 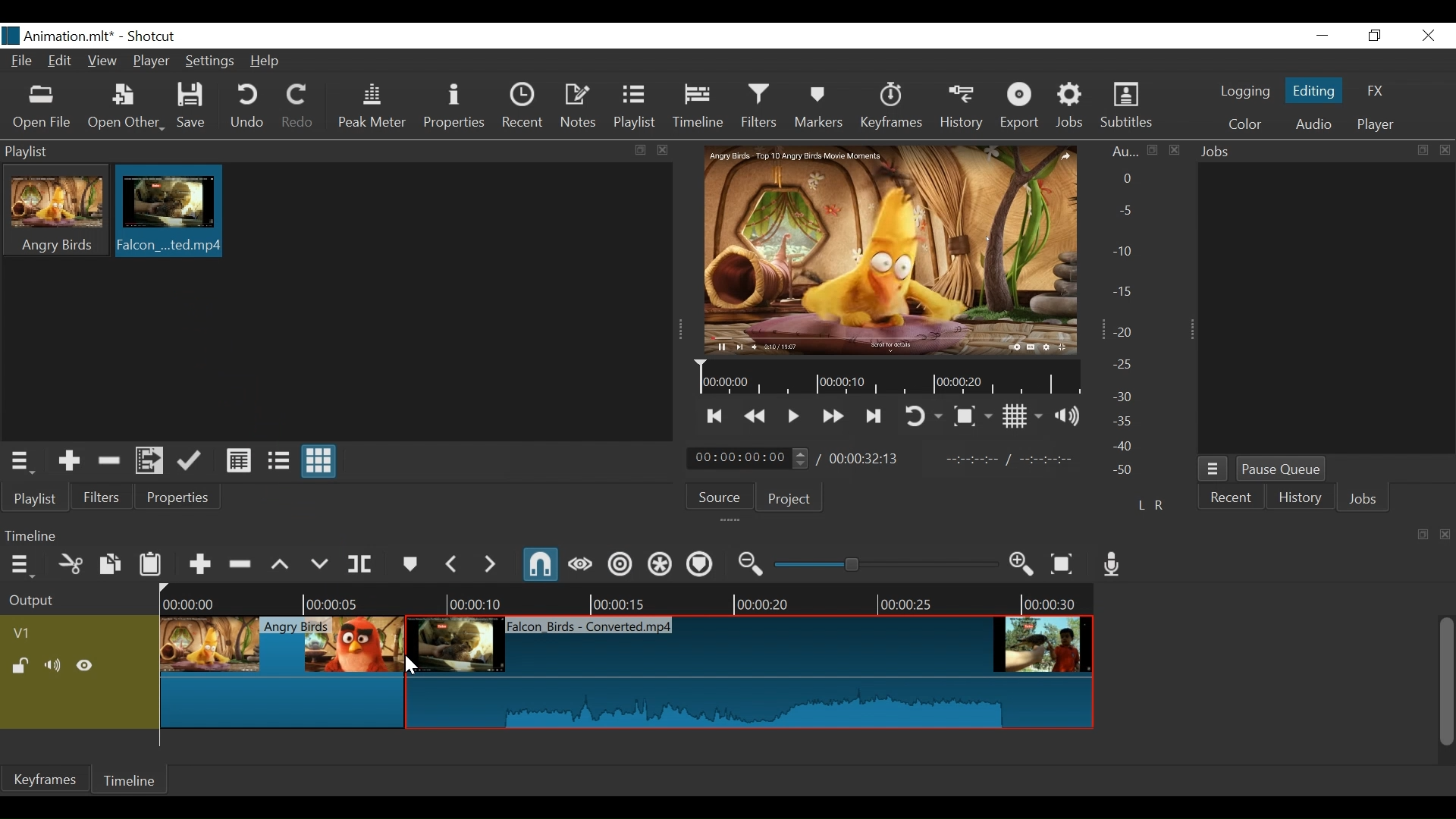 I want to click on Mute, so click(x=54, y=666).